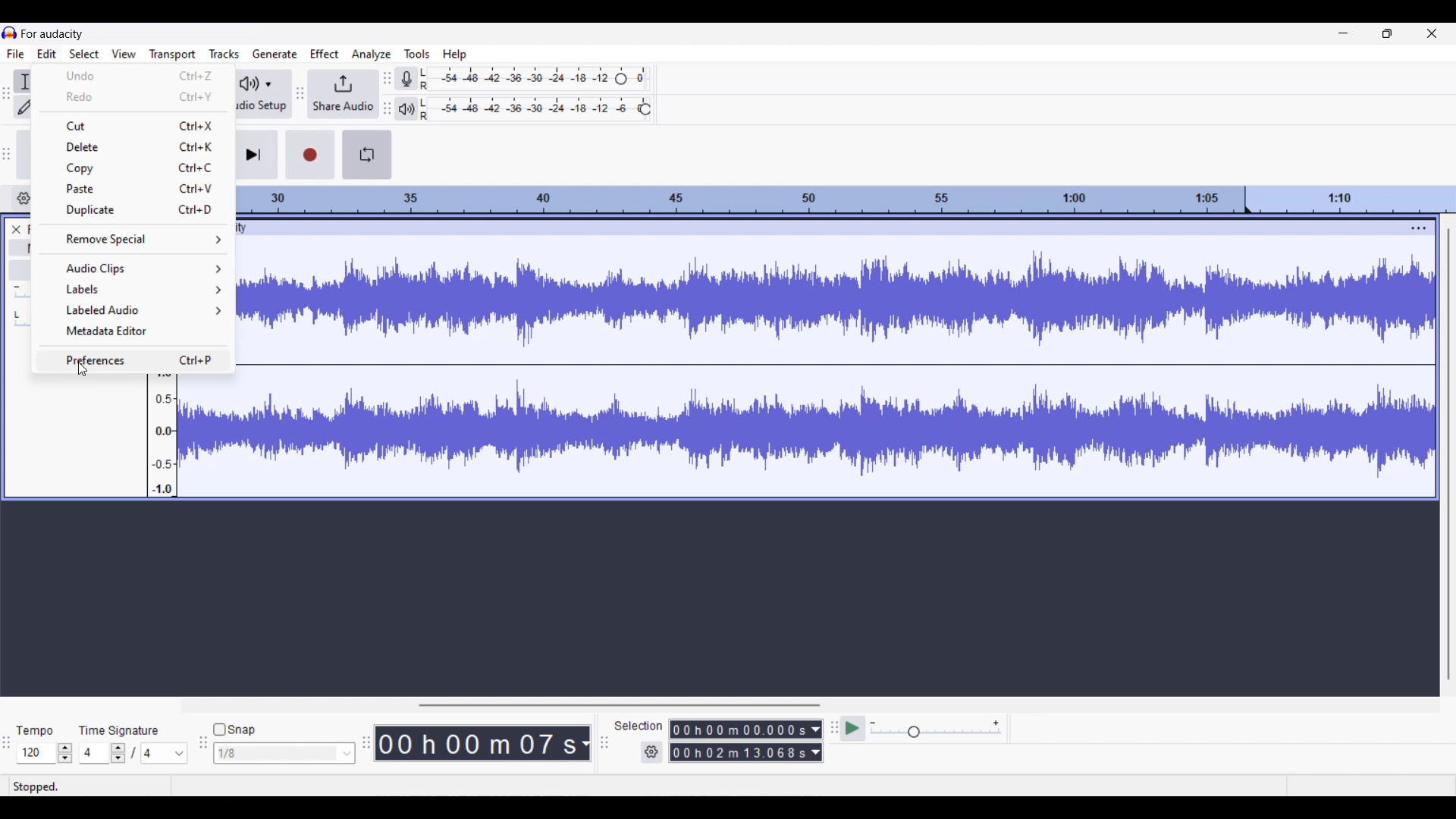 This screenshot has height=819, width=1456. I want to click on Enable looping, so click(367, 155).